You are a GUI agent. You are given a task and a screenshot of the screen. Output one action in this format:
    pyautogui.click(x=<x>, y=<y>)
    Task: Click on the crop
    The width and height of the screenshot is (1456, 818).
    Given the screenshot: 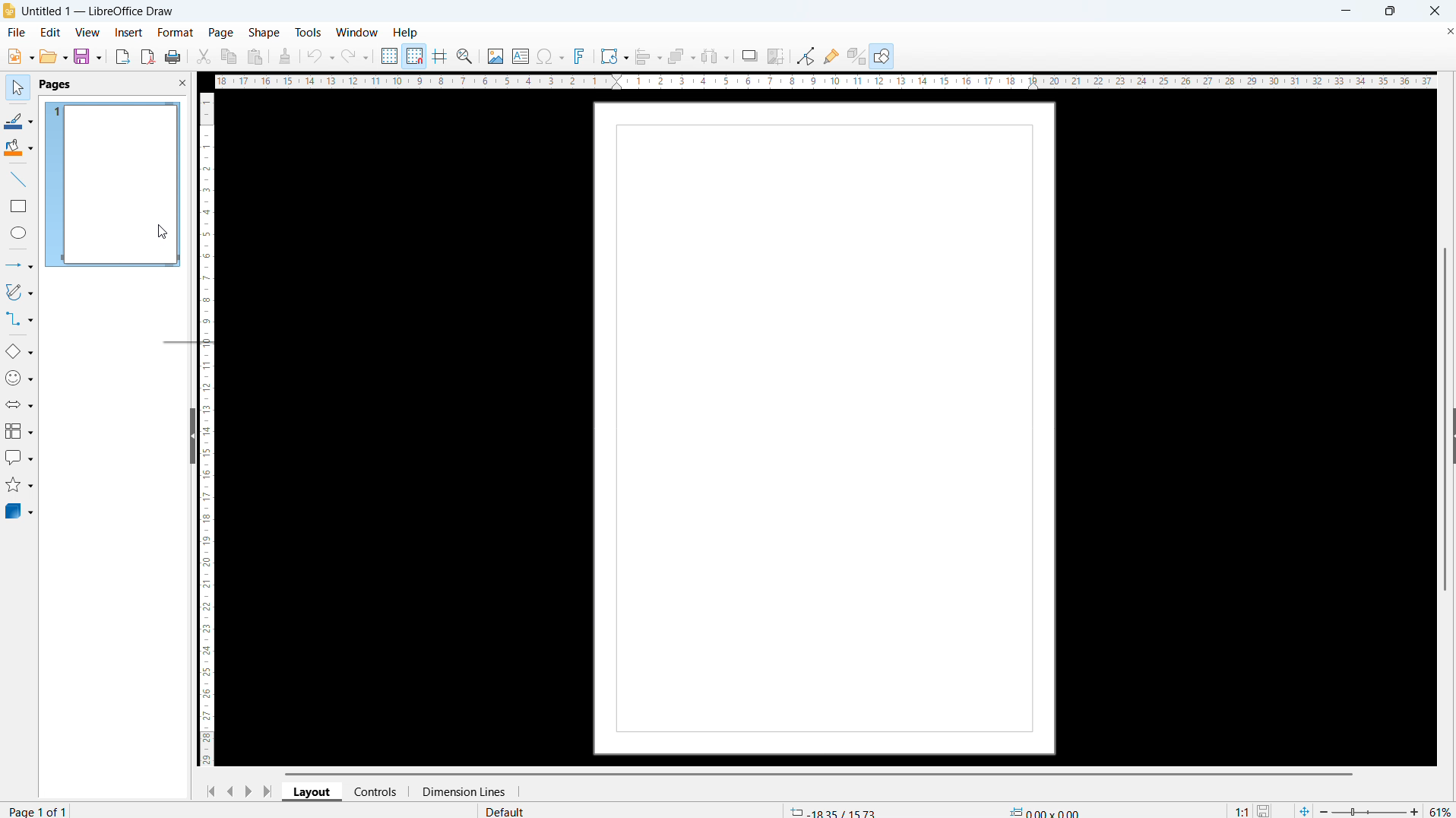 What is the action you would take?
    pyautogui.click(x=777, y=55)
    